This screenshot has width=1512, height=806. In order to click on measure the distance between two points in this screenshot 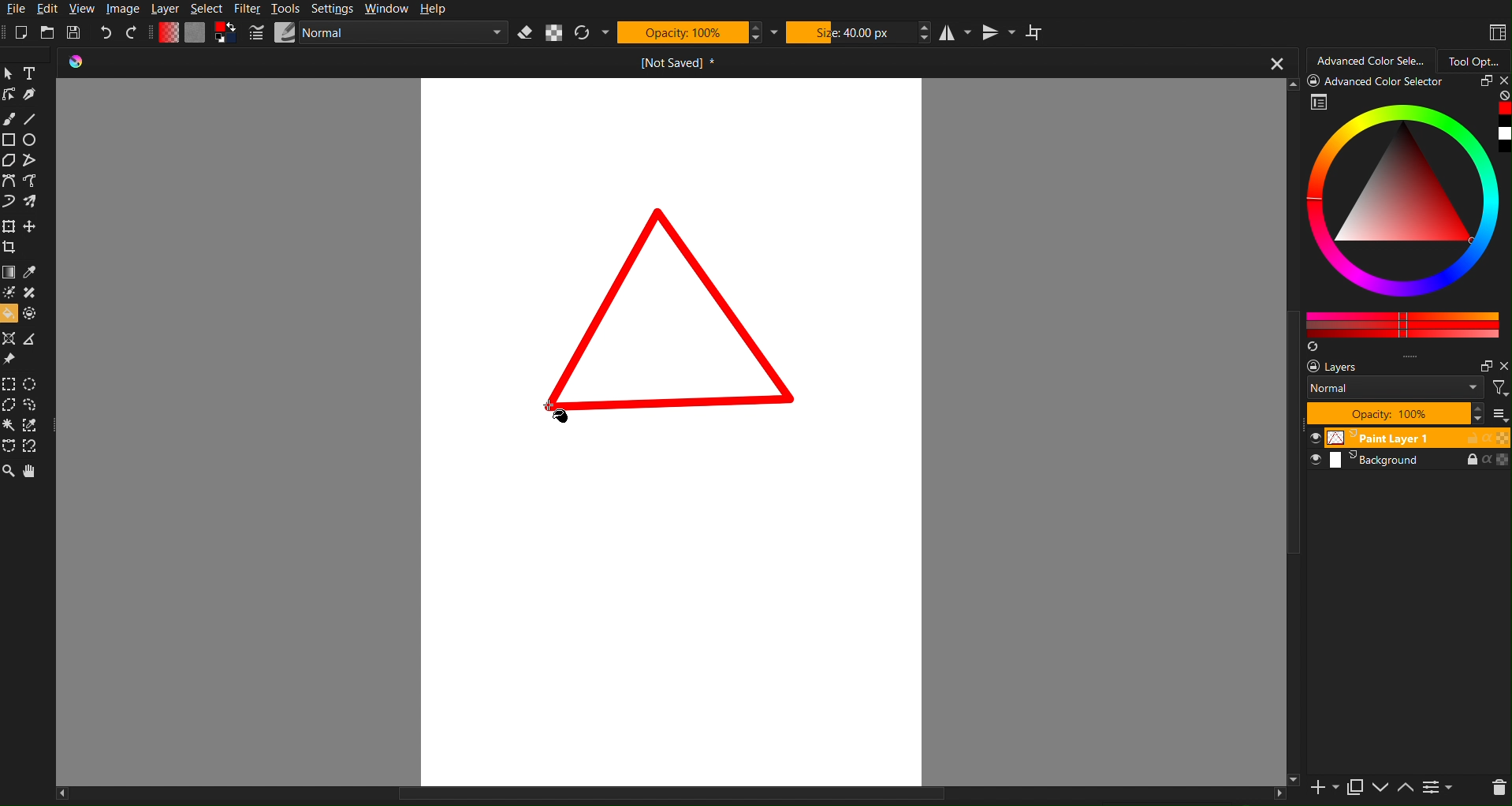, I will do `click(32, 339)`.